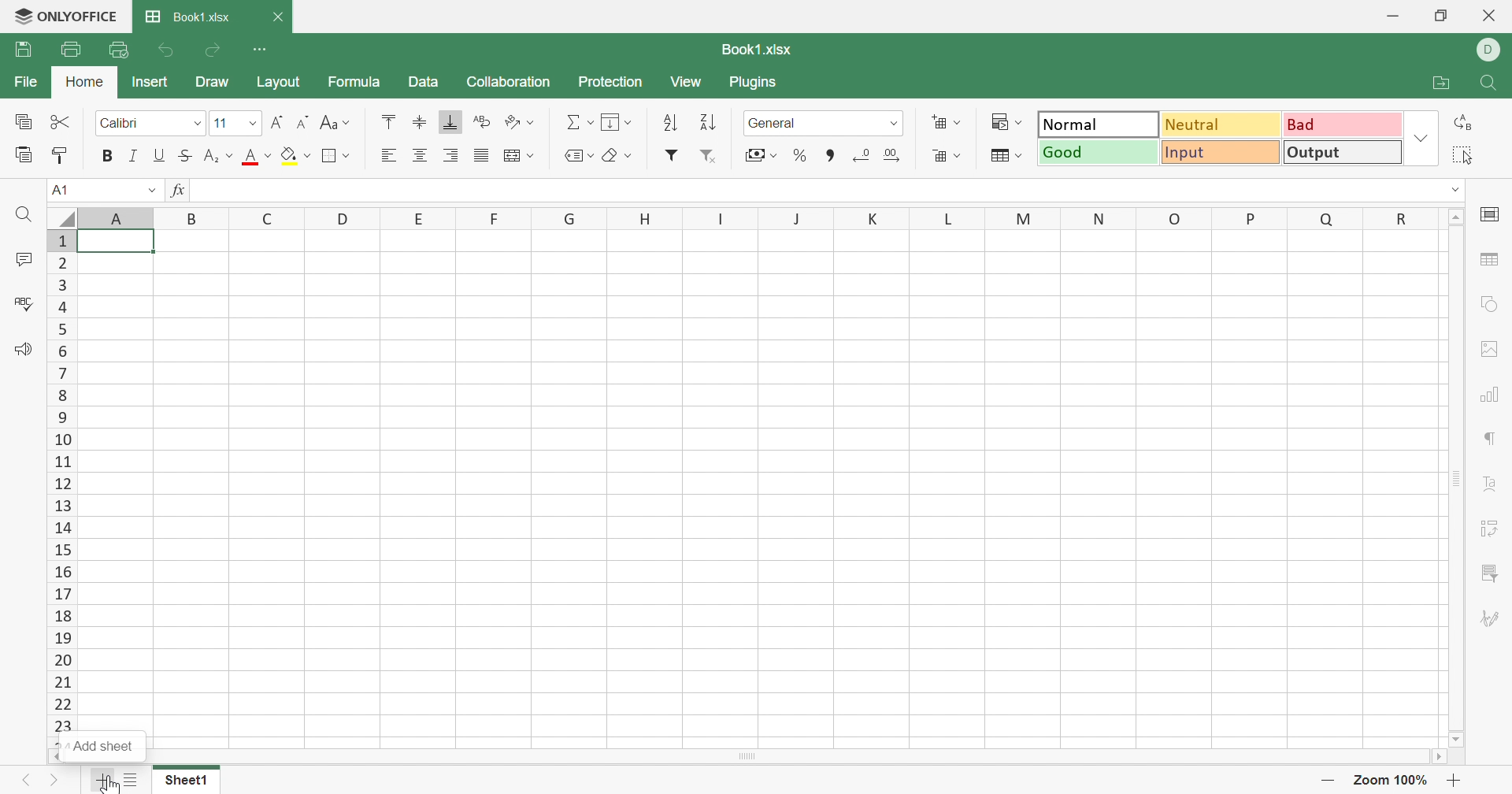 This screenshot has height=794, width=1512. What do you see at coordinates (1491, 15) in the screenshot?
I see `Close` at bounding box center [1491, 15].